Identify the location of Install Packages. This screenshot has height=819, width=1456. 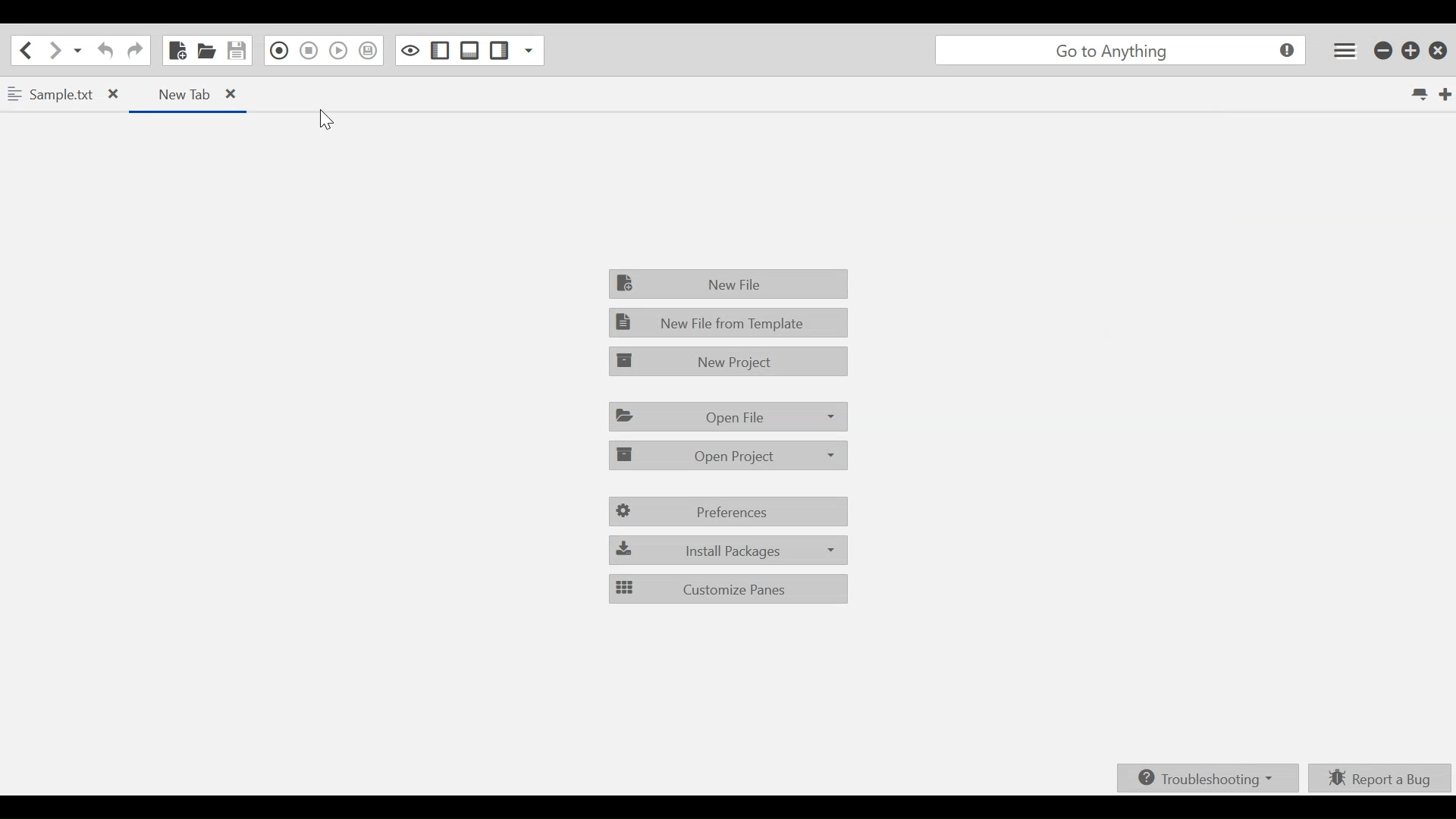
(727, 549).